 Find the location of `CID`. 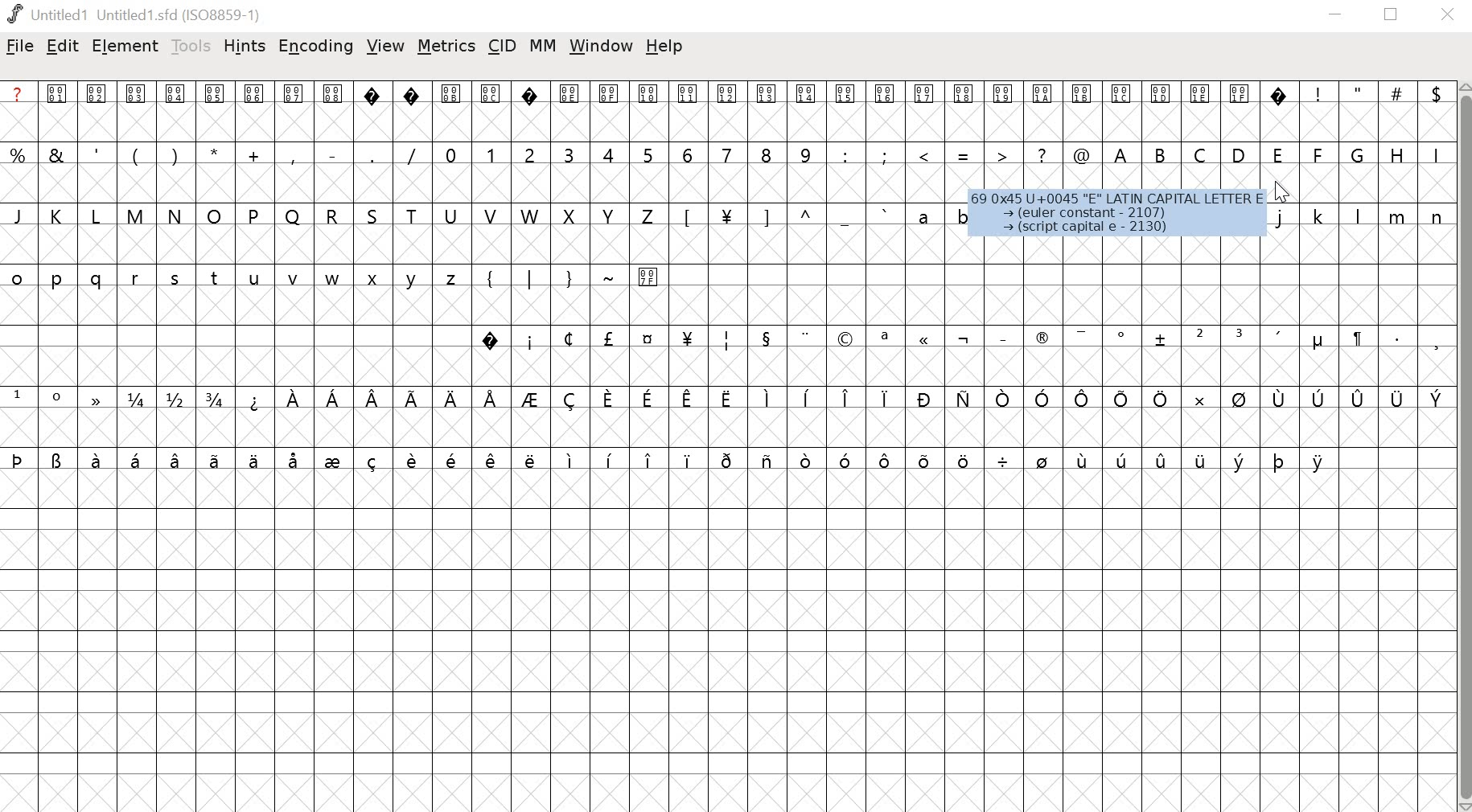

CID is located at coordinates (502, 47).